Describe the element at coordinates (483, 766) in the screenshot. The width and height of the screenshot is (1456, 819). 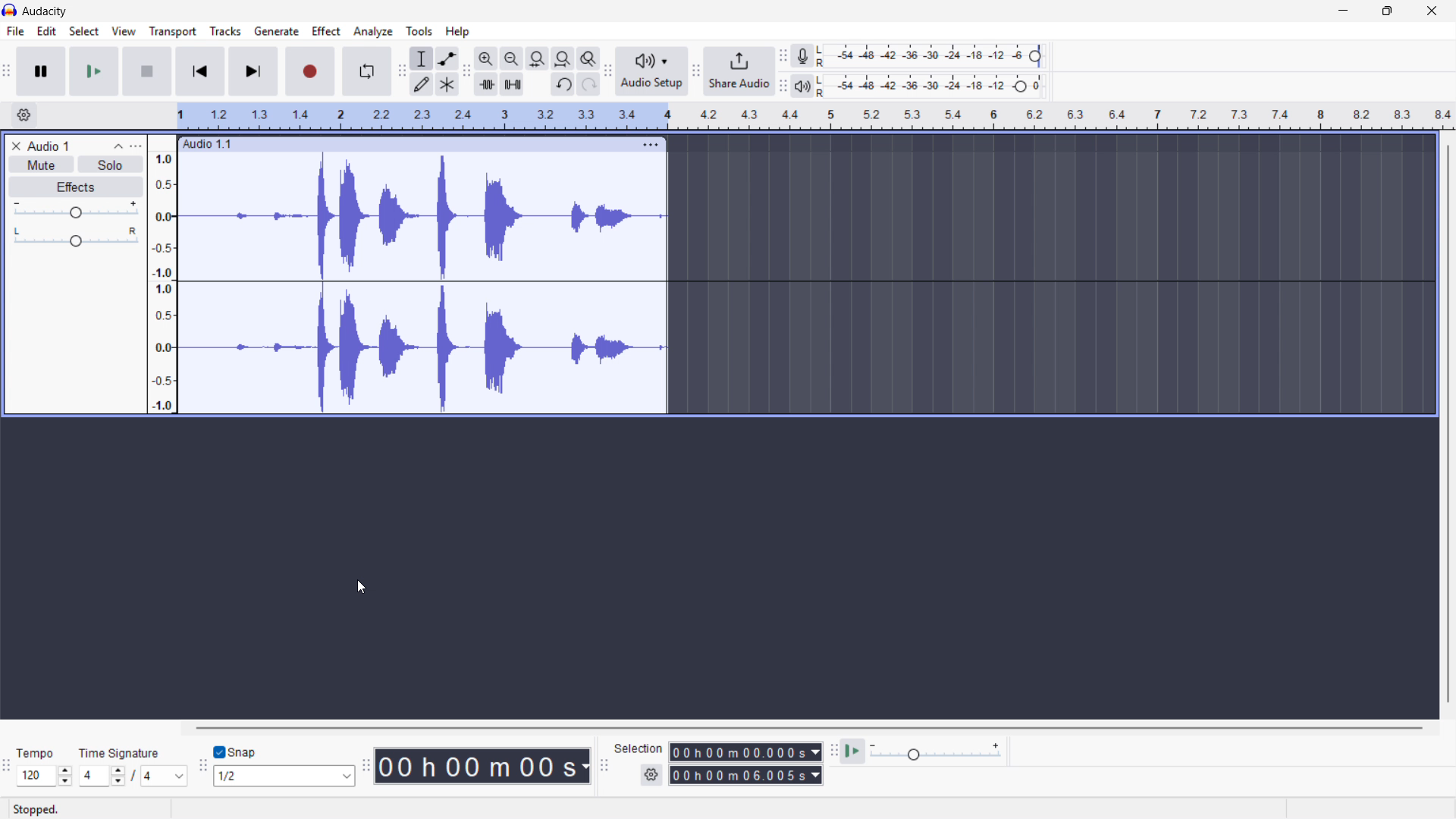
I see `Timestamp` at that location.